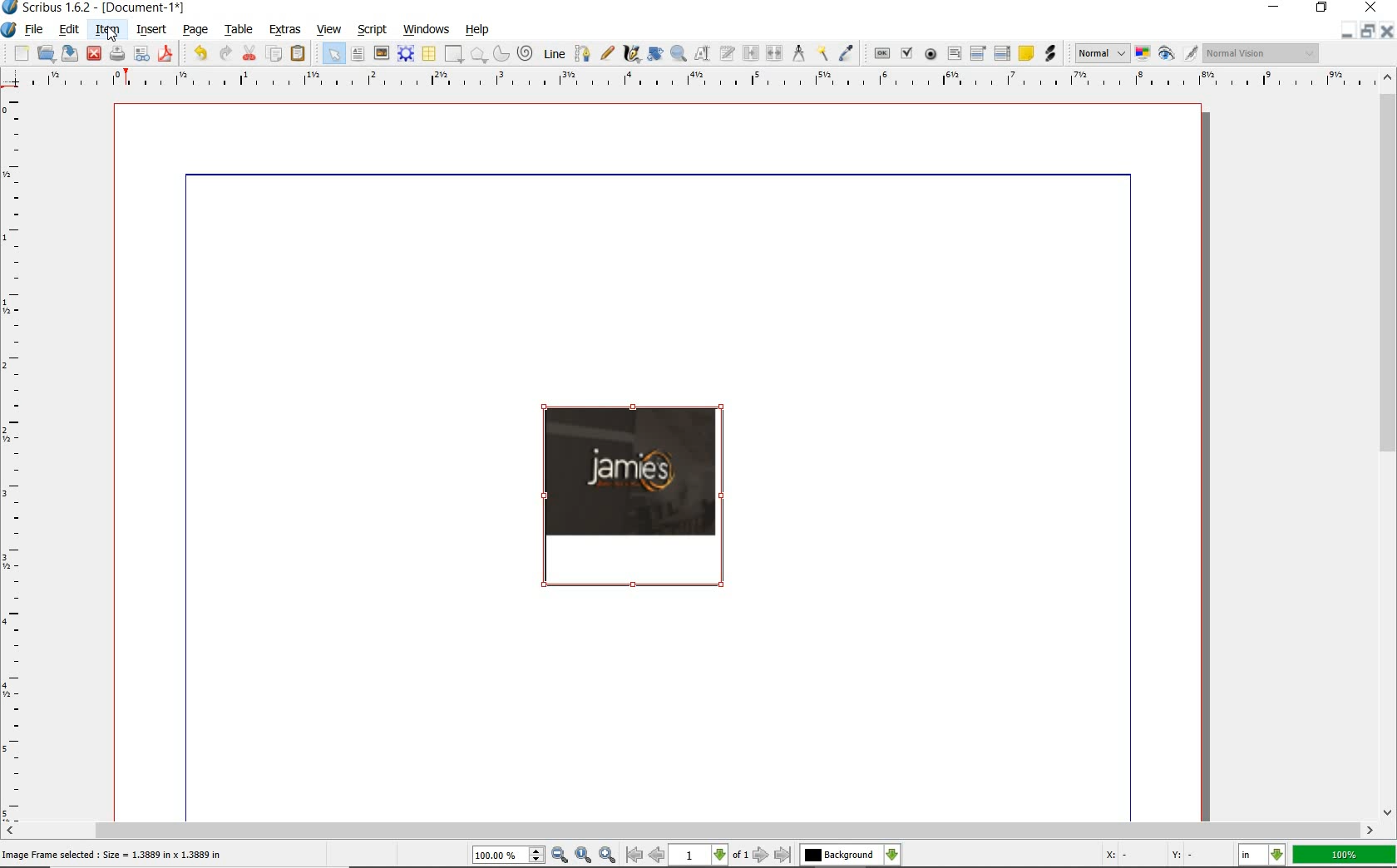 This screenshot has height=868, width=1397. Describe the element at coordinates (583, 52) in the screenshot. I see `Bezier curve` at that location.